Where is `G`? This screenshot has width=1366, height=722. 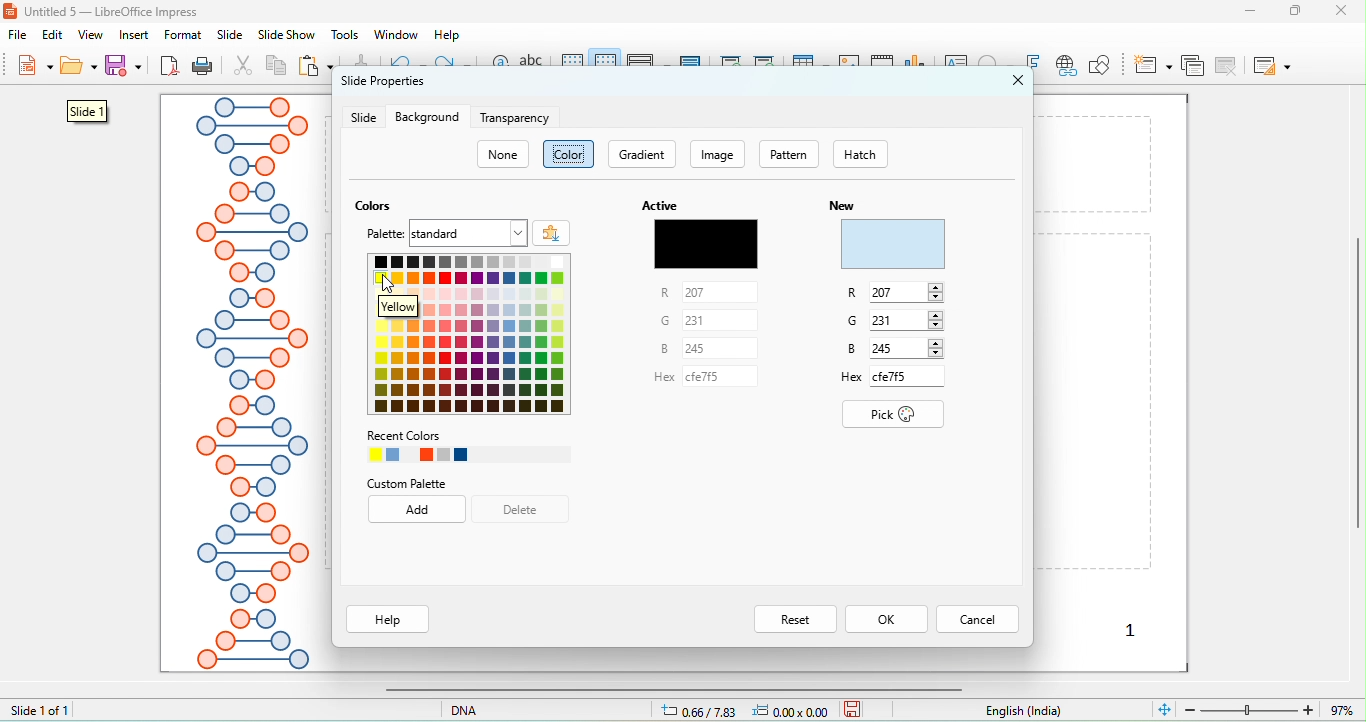 G is located at coordinates (897, 320).